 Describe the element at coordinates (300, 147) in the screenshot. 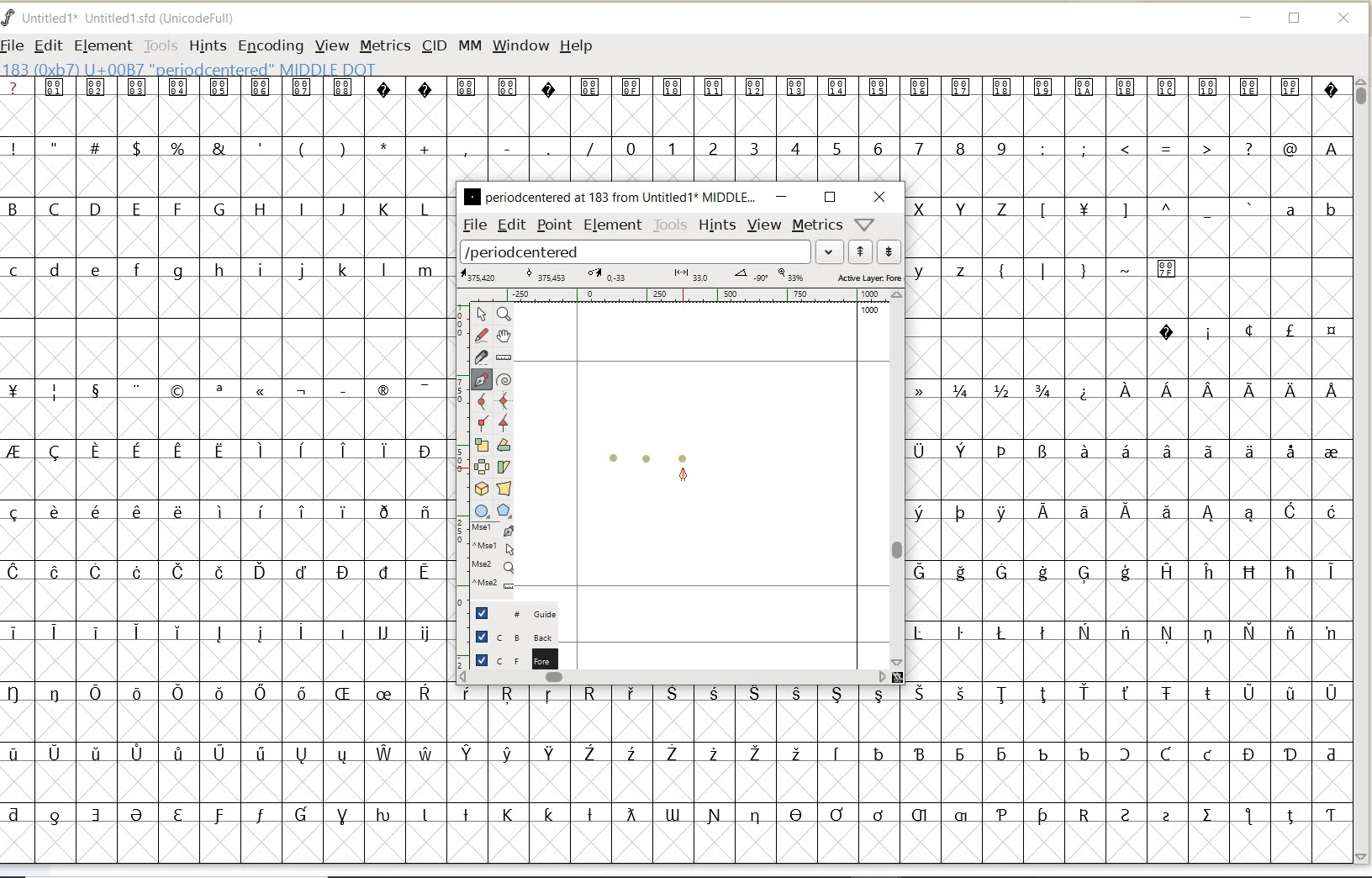

I see `special characters` at that location.